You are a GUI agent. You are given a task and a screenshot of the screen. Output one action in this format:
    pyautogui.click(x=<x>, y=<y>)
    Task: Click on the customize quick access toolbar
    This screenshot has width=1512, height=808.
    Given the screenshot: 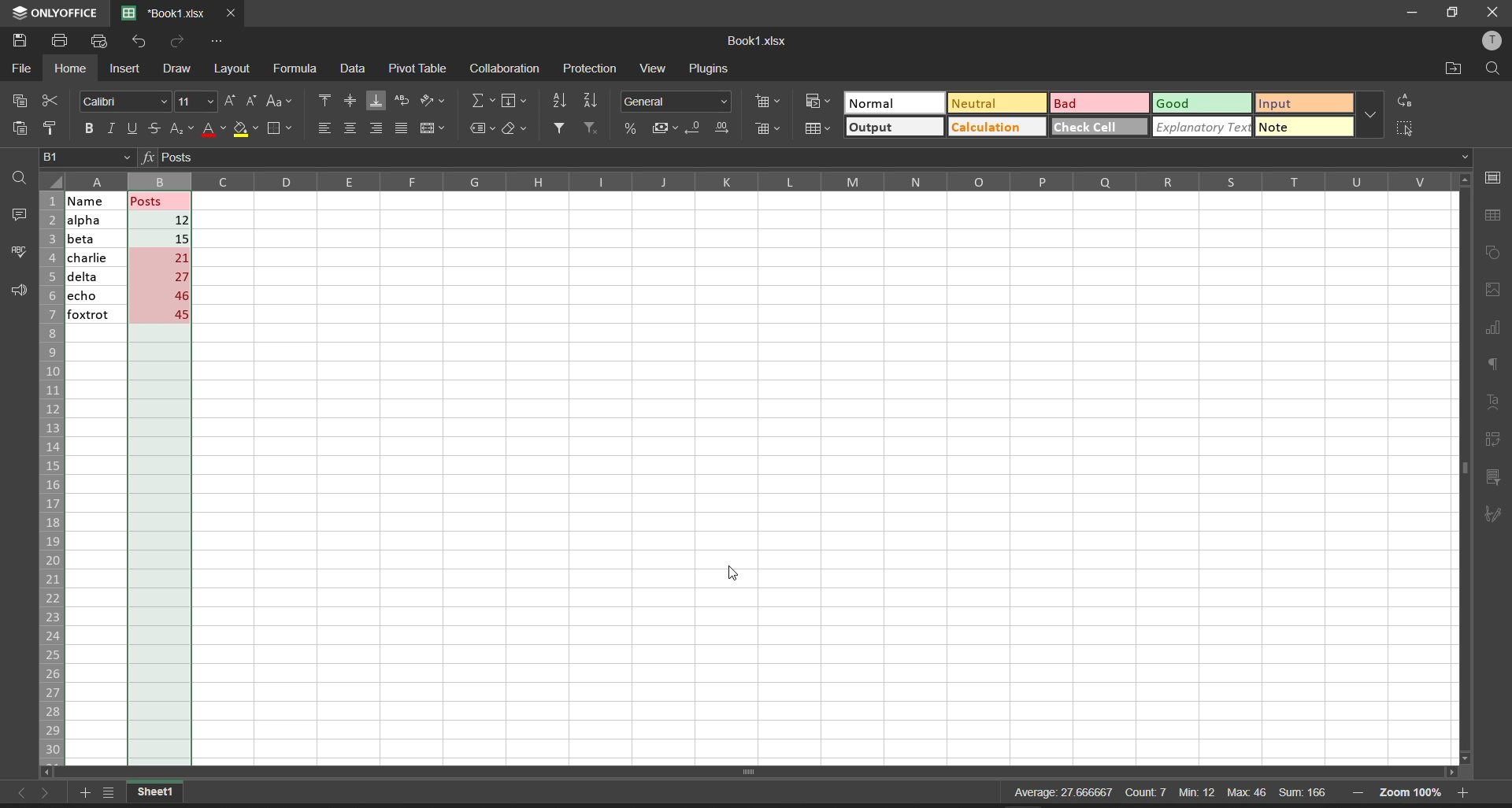 What is the action you would take?
    pyautogui.click(x=218, y=40)
    